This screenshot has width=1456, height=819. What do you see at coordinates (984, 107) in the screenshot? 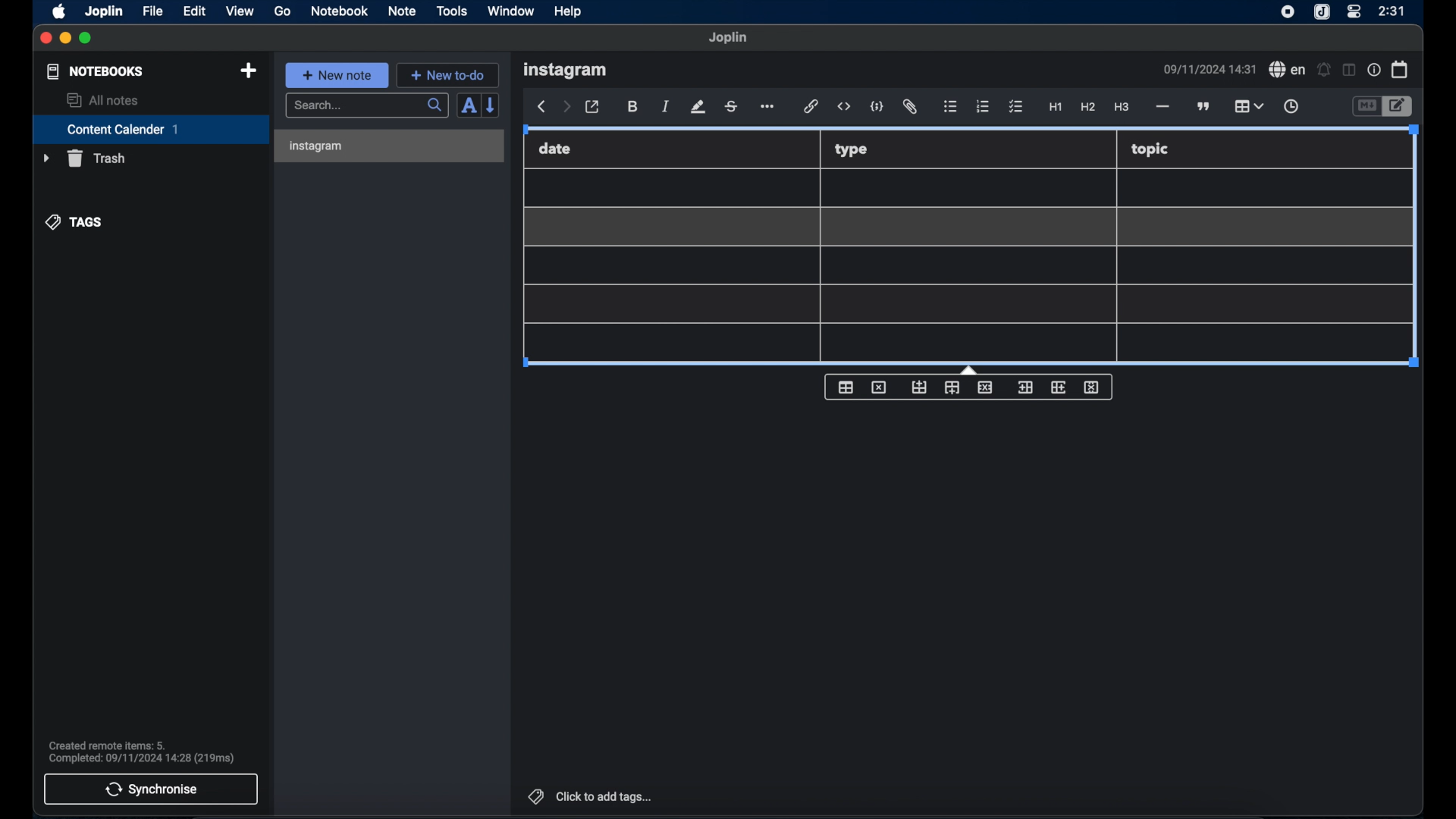
I see `numbered list` at bounding box center [984, 107].